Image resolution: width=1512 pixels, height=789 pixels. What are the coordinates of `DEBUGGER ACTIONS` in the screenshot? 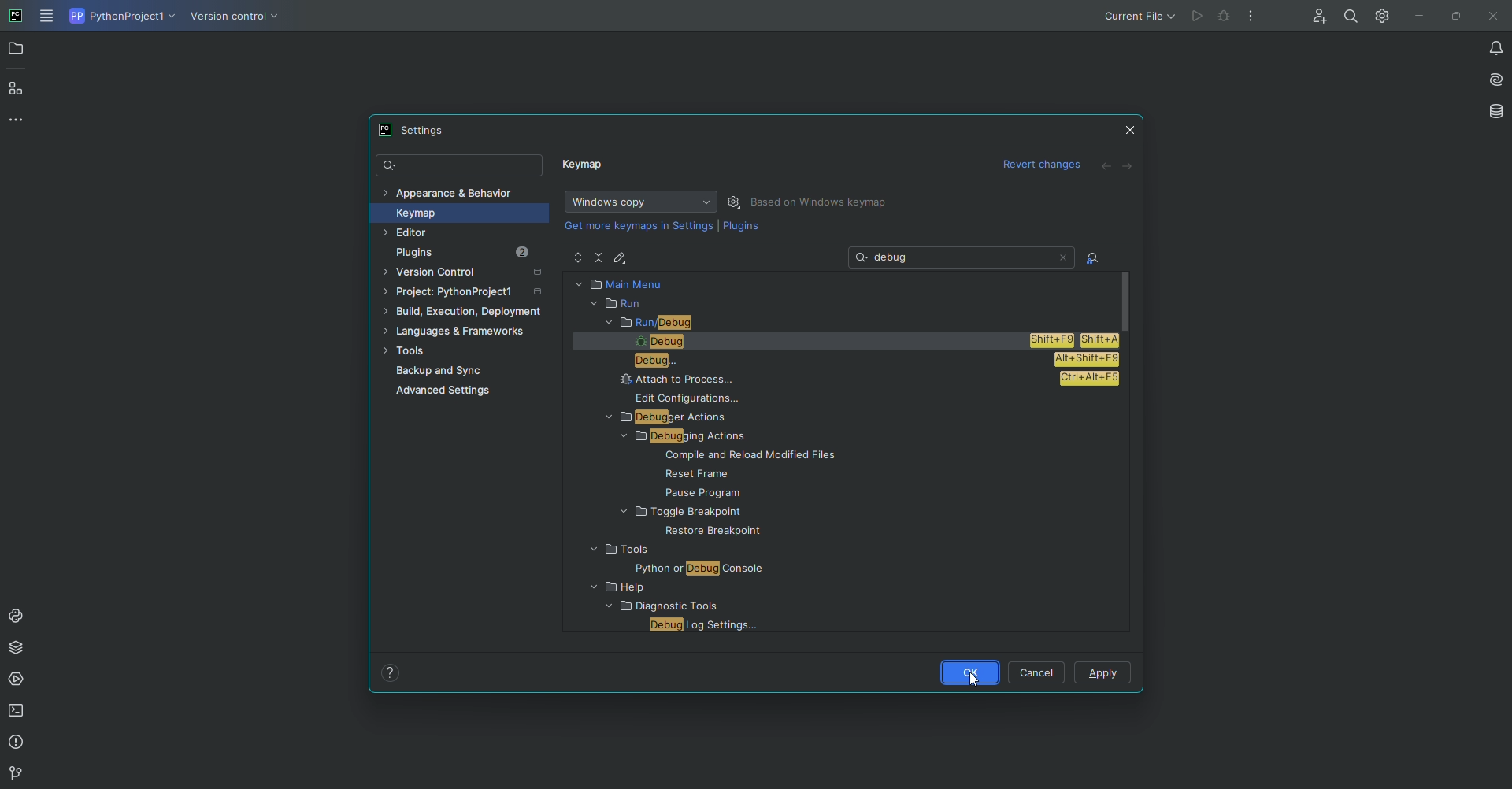 It's located at (687, 417).